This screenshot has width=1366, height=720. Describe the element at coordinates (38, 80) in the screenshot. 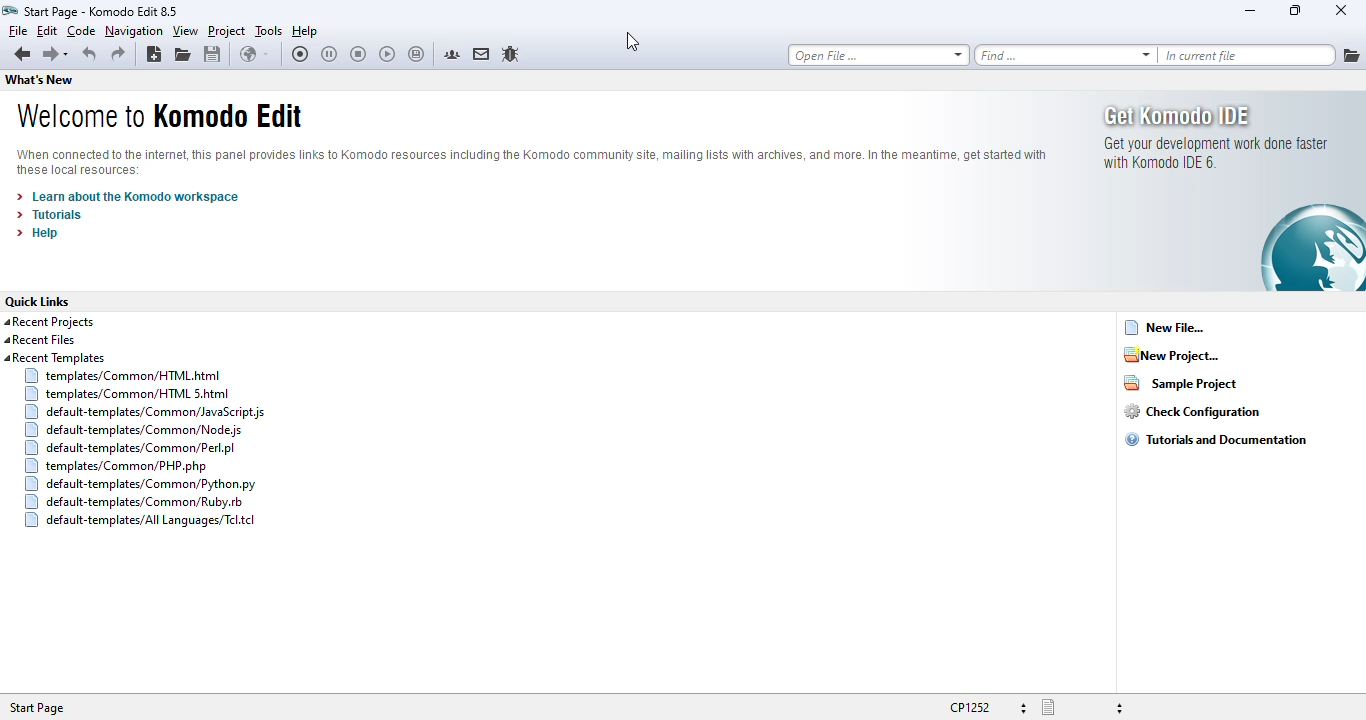

I see `what's new` at that location.